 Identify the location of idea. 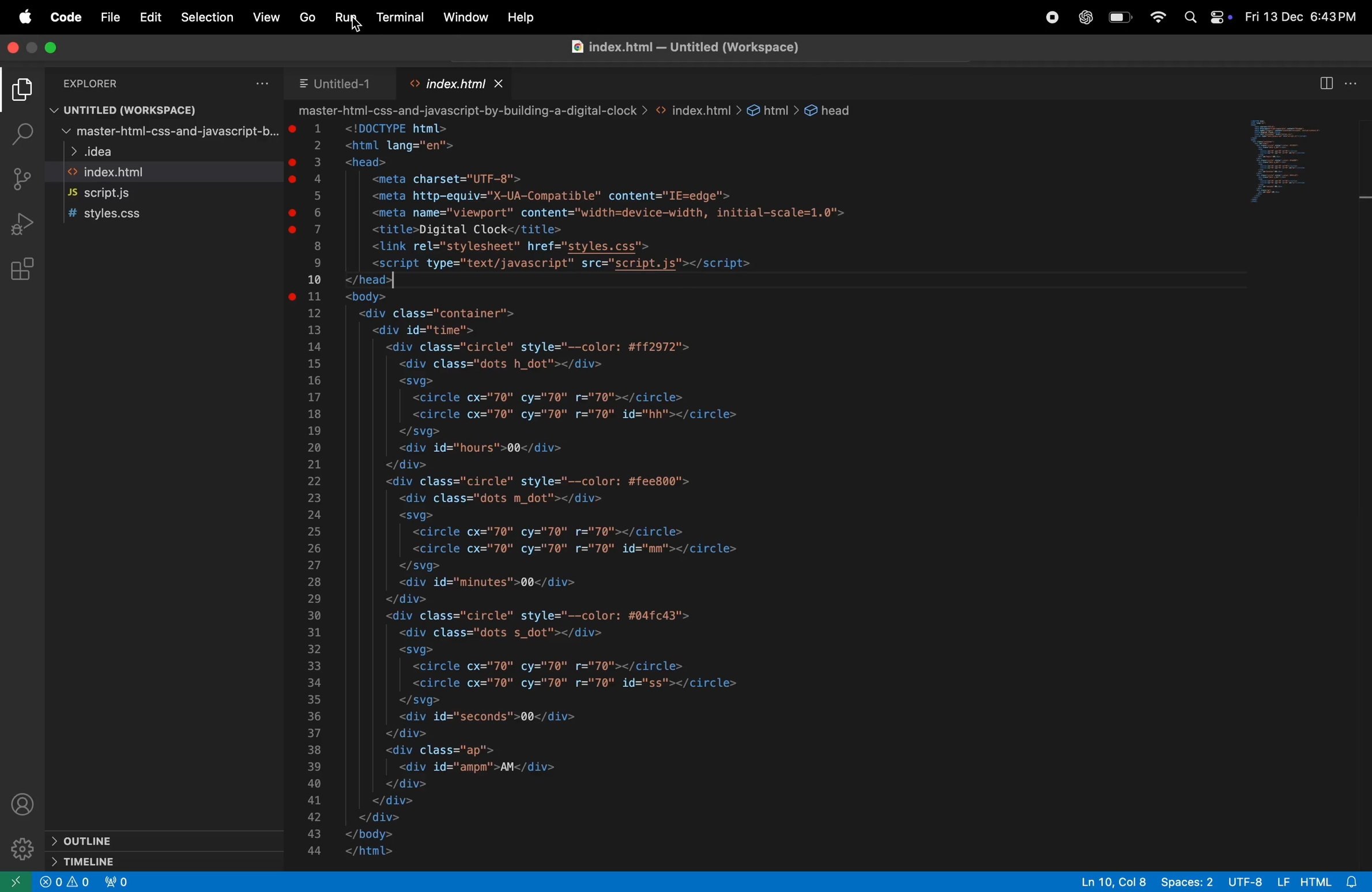
(99, 153).